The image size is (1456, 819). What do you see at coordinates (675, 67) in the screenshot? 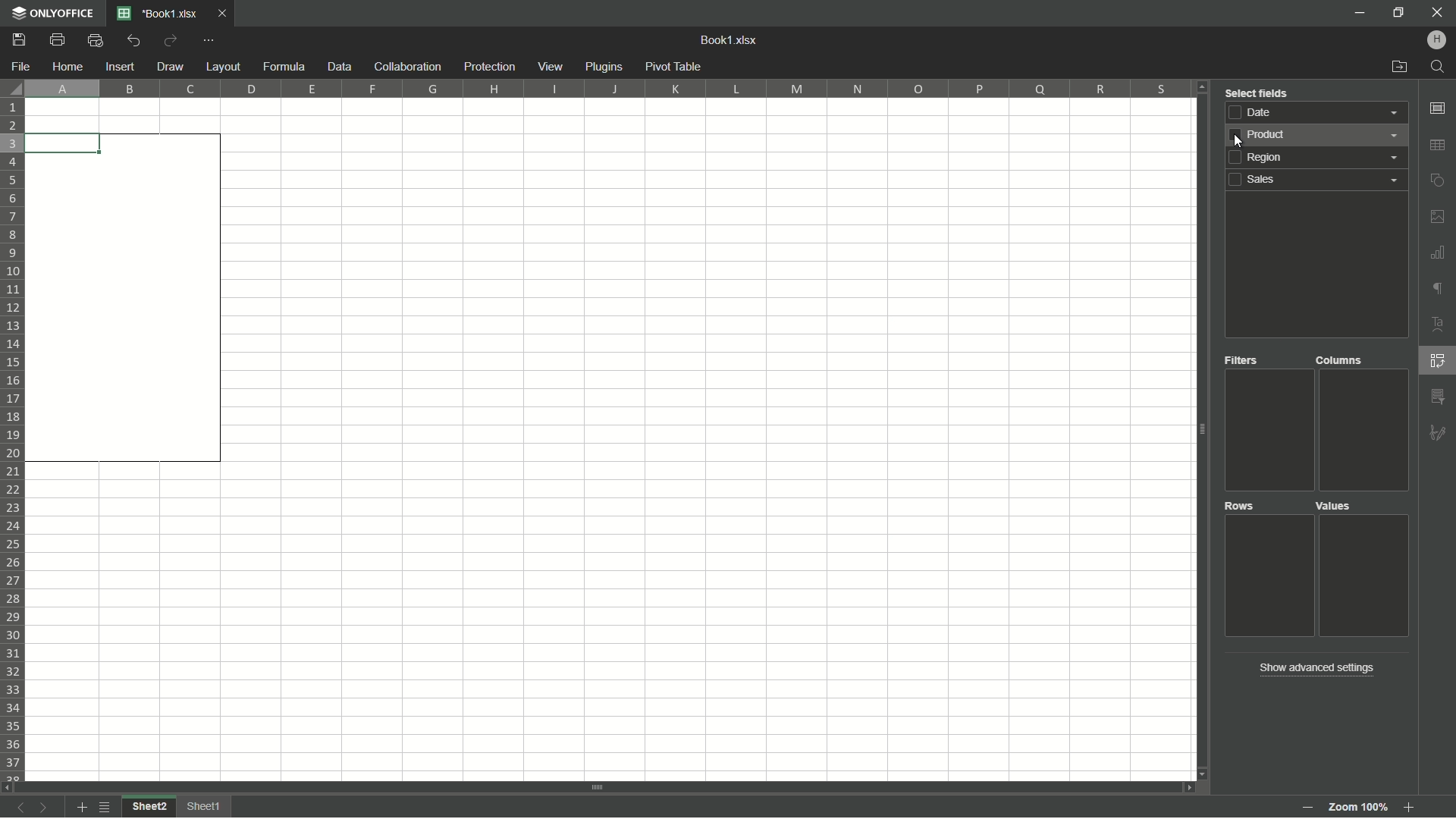
I see `Pivot table` at bounding box center [675, 67].